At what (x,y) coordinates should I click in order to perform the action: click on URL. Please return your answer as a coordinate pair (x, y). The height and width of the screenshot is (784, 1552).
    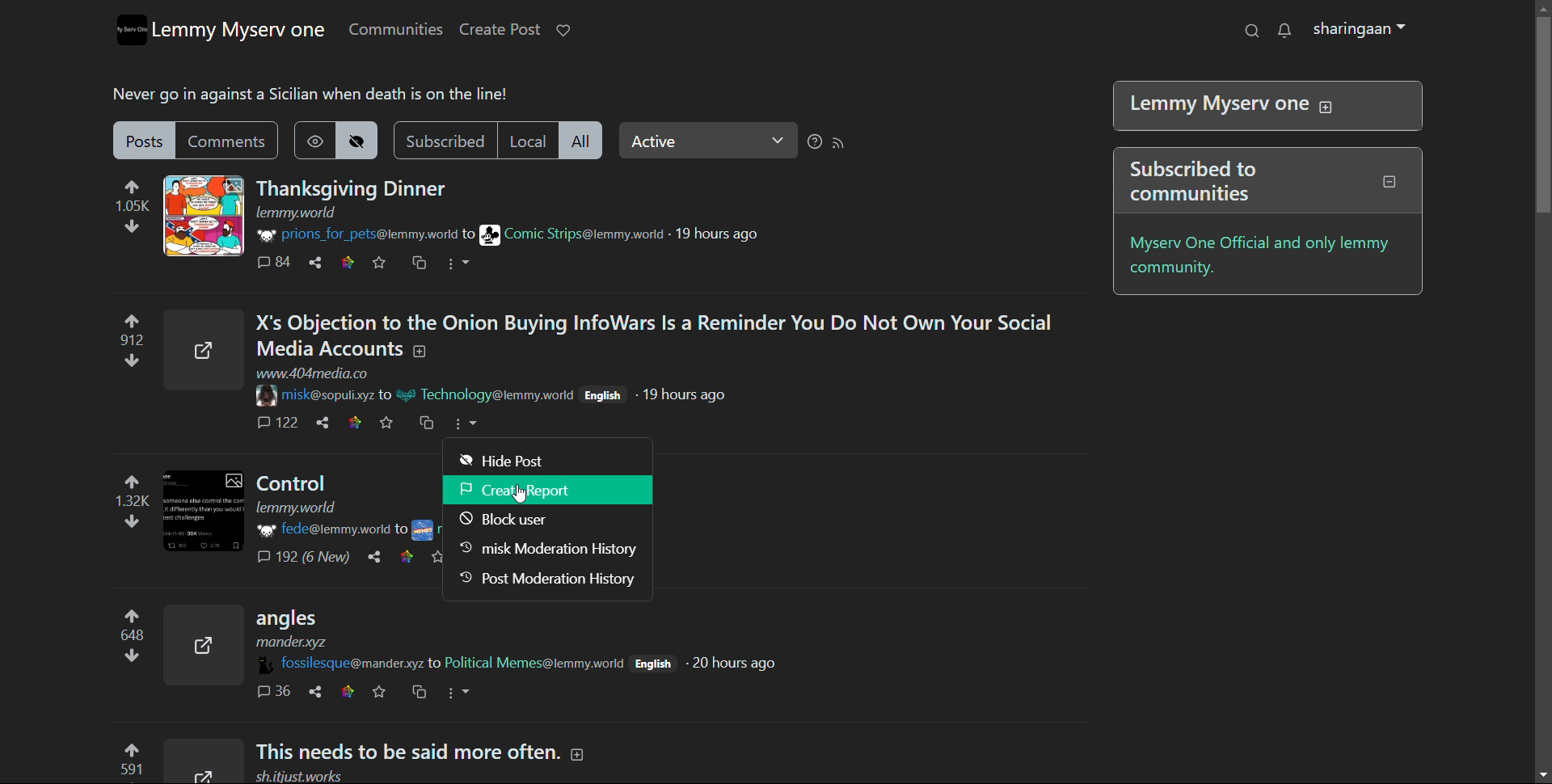
    Looking at the image, I should click on (297, 213).